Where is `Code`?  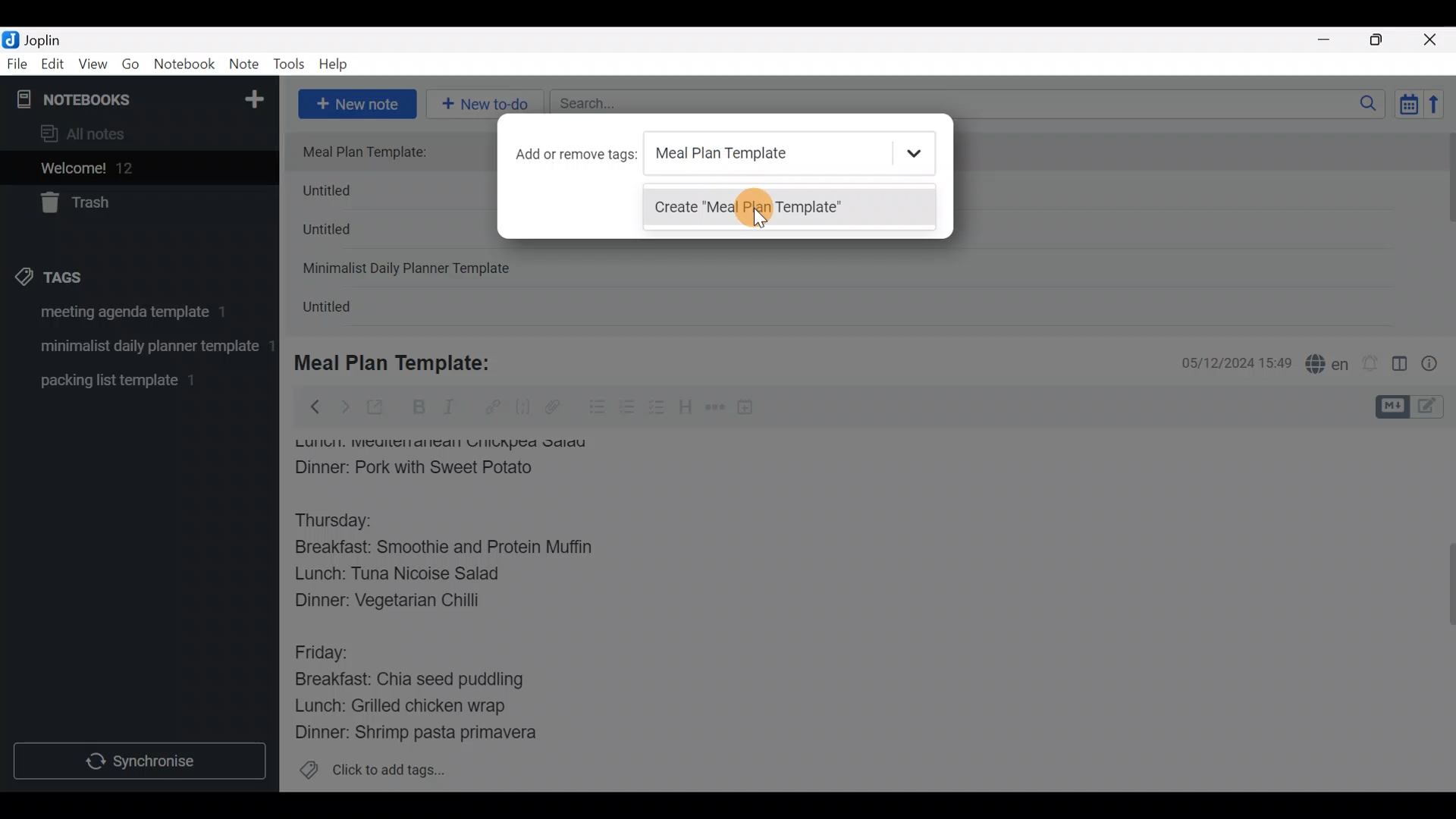 Code is located at coordinates (521, 406).